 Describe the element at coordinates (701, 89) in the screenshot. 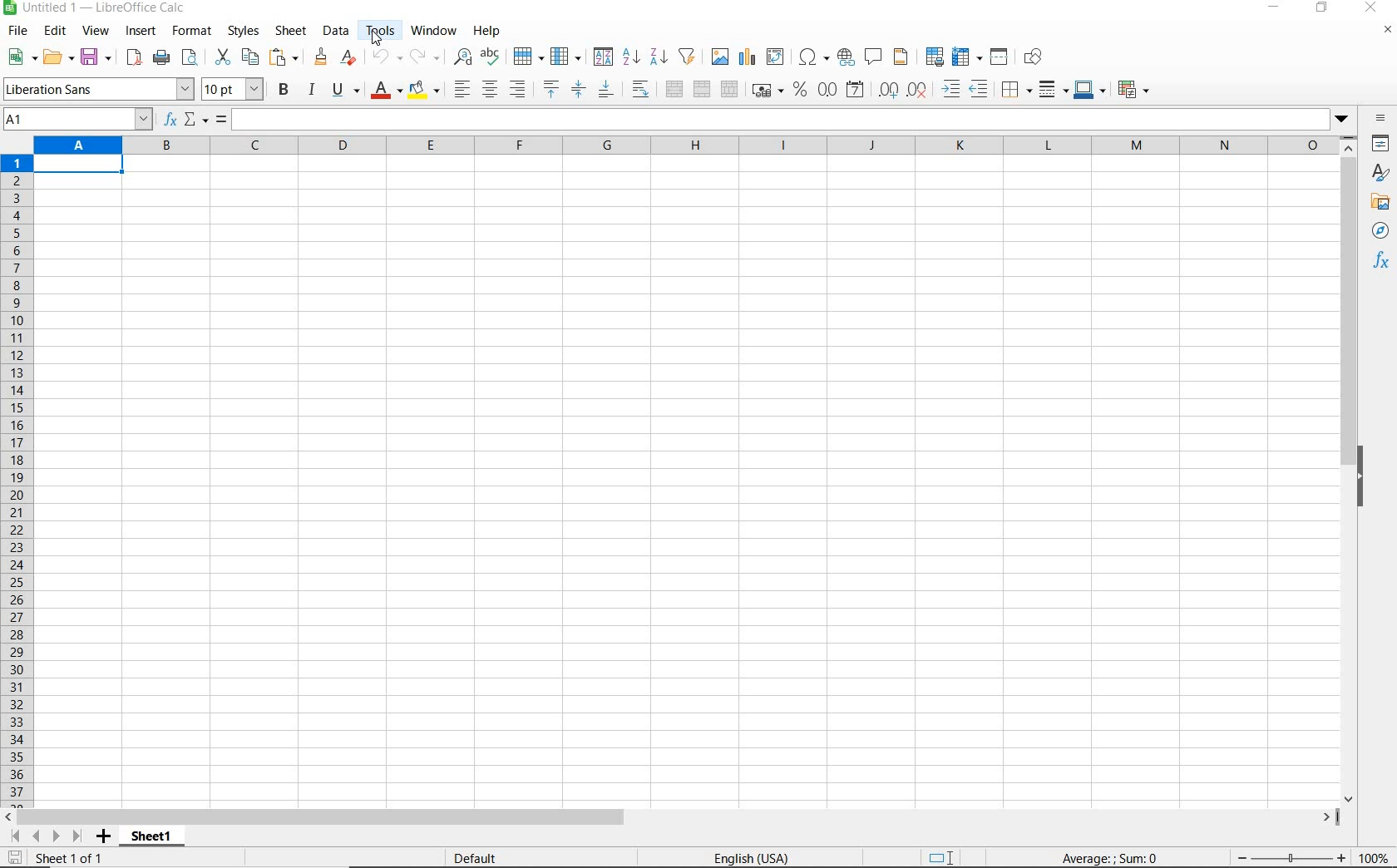

I see `merge or center or unmerge cells` at that location.